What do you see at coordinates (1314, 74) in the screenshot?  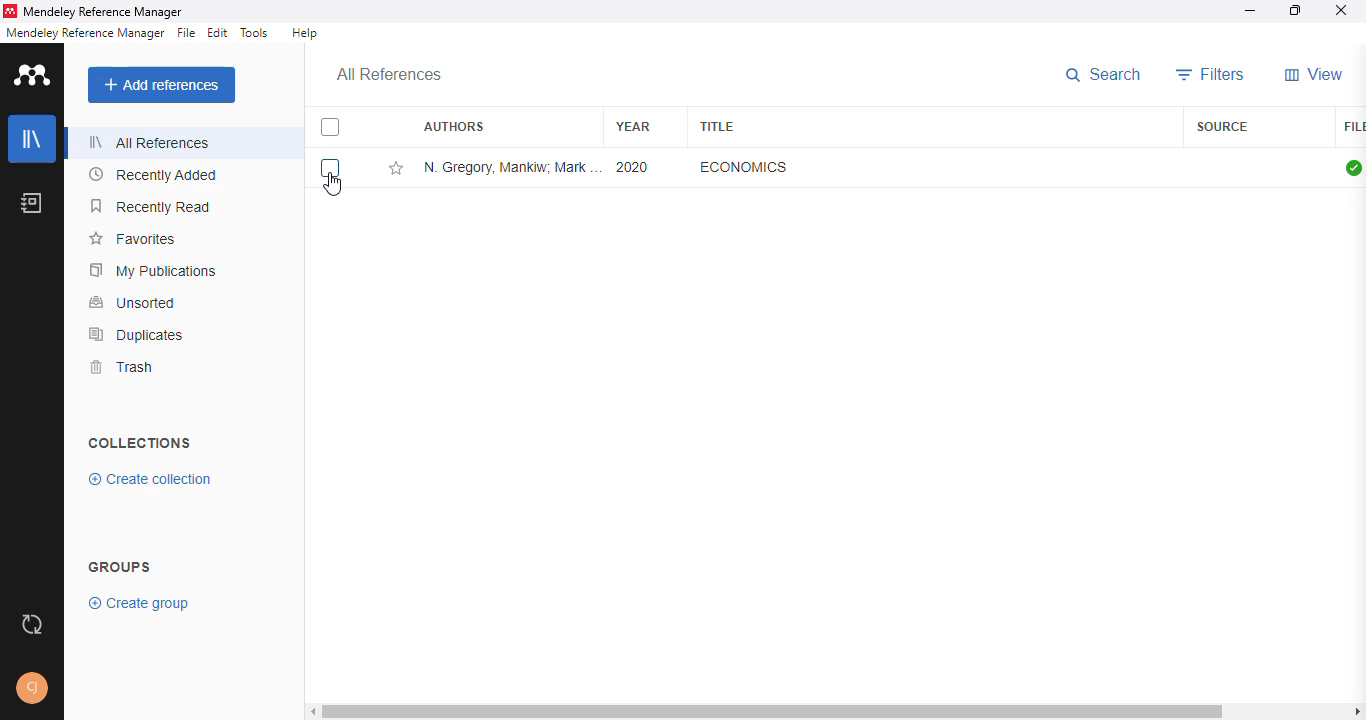 I see `view` at bounding box center [1314, 74].